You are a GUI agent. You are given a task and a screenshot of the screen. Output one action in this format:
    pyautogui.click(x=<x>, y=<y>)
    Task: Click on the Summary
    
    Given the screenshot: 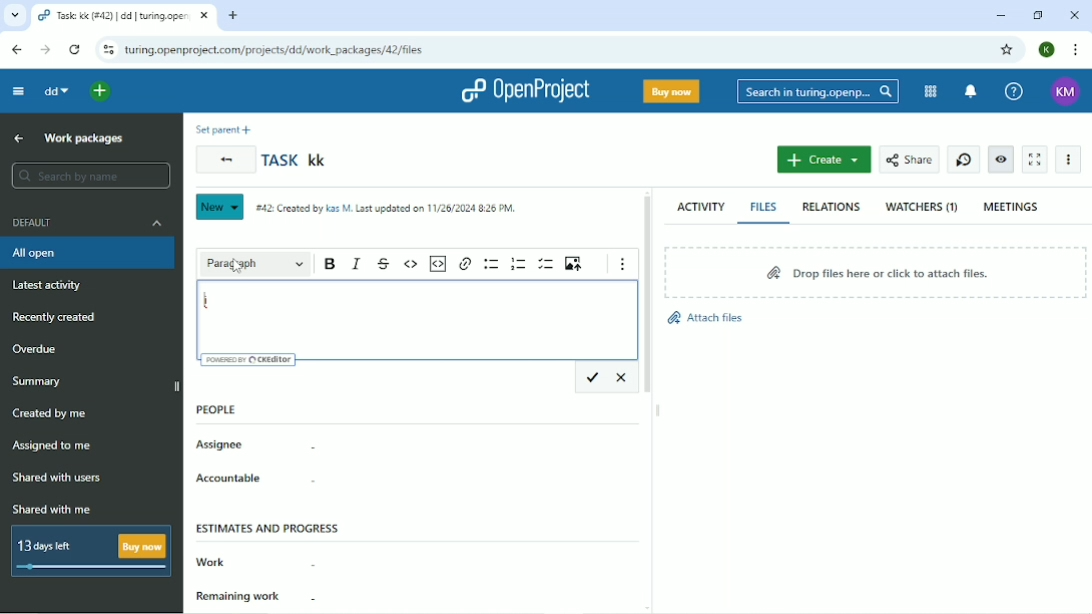 What is the action you would take?
    pyautogui.click(x=40, y=381)
    